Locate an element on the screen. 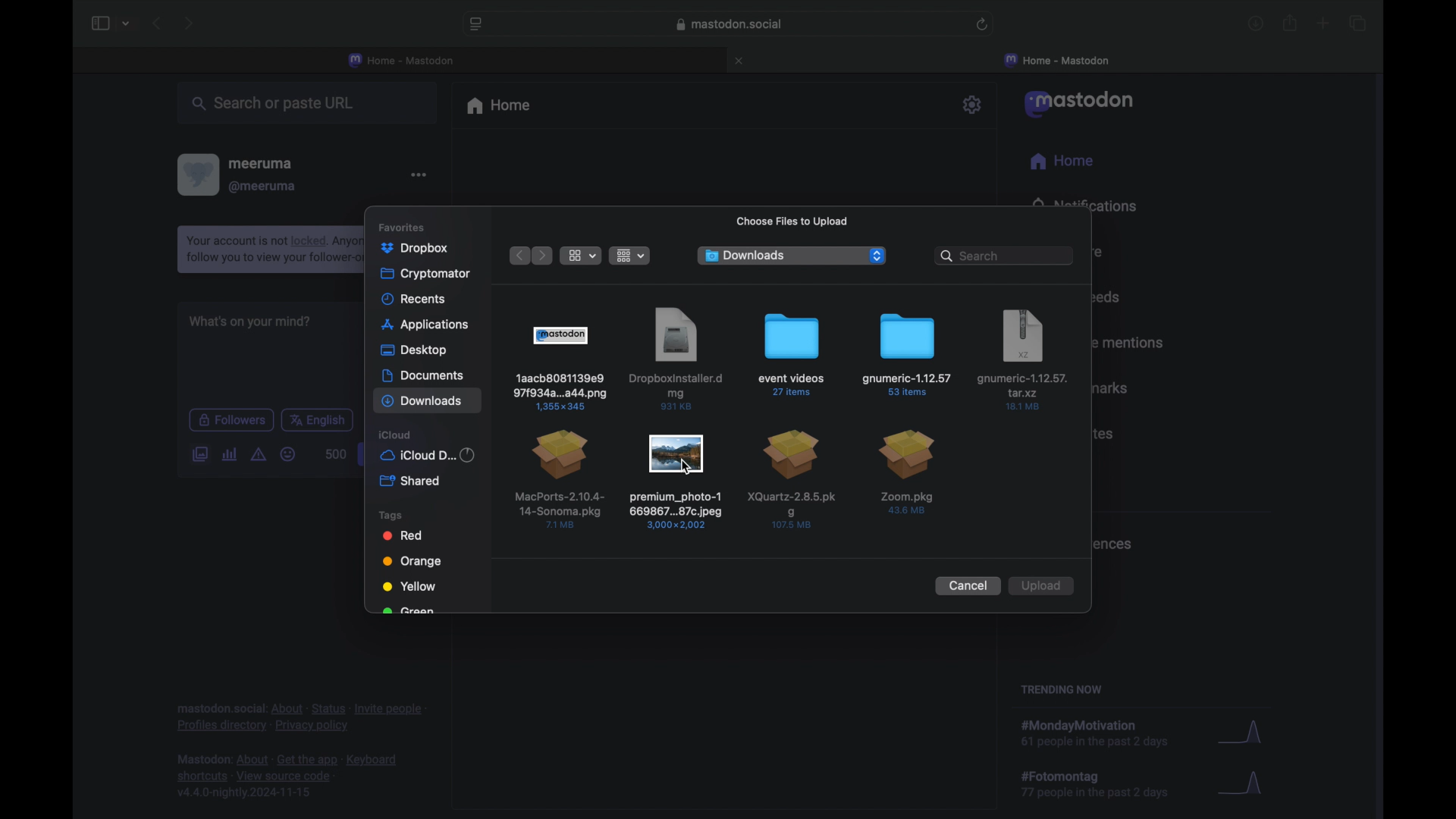 This screenshot has width=1456, height=819. event videos is located at coordinates (791, 355).